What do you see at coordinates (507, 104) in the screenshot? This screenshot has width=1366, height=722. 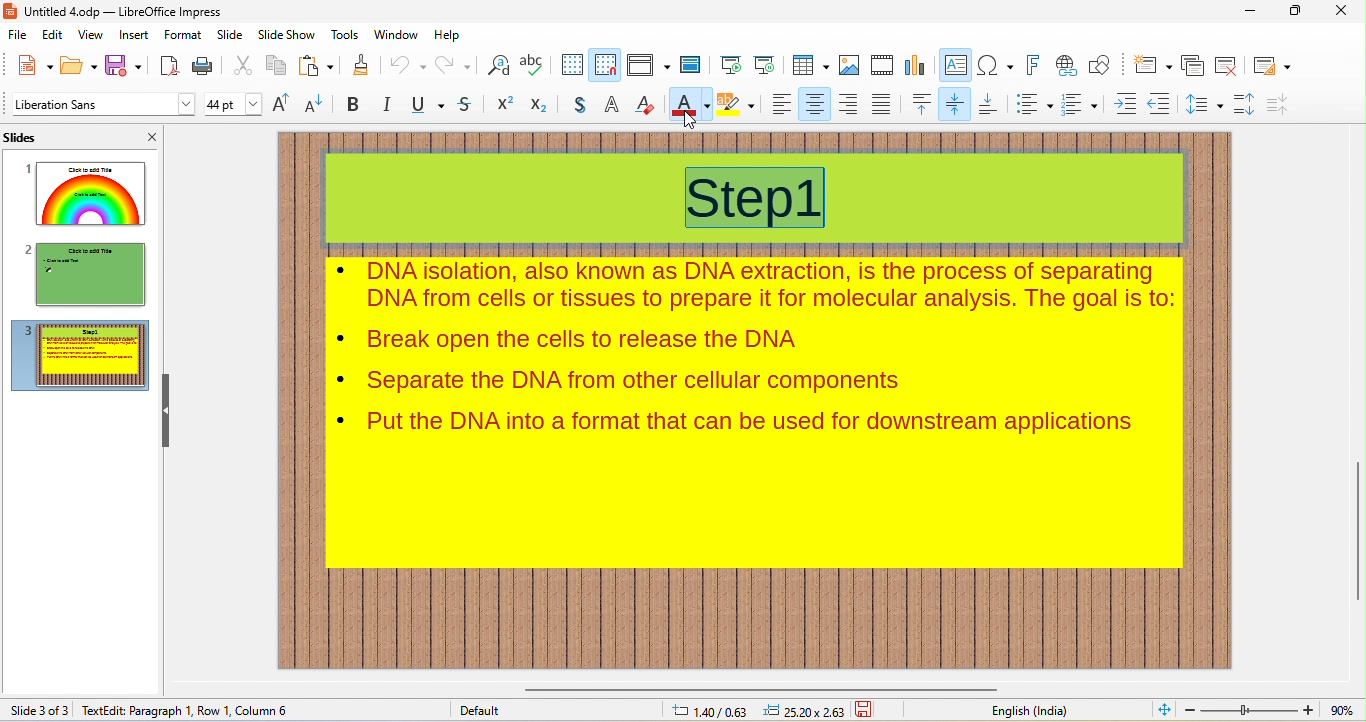 I see `superscript` at bounding box center [507, 104].